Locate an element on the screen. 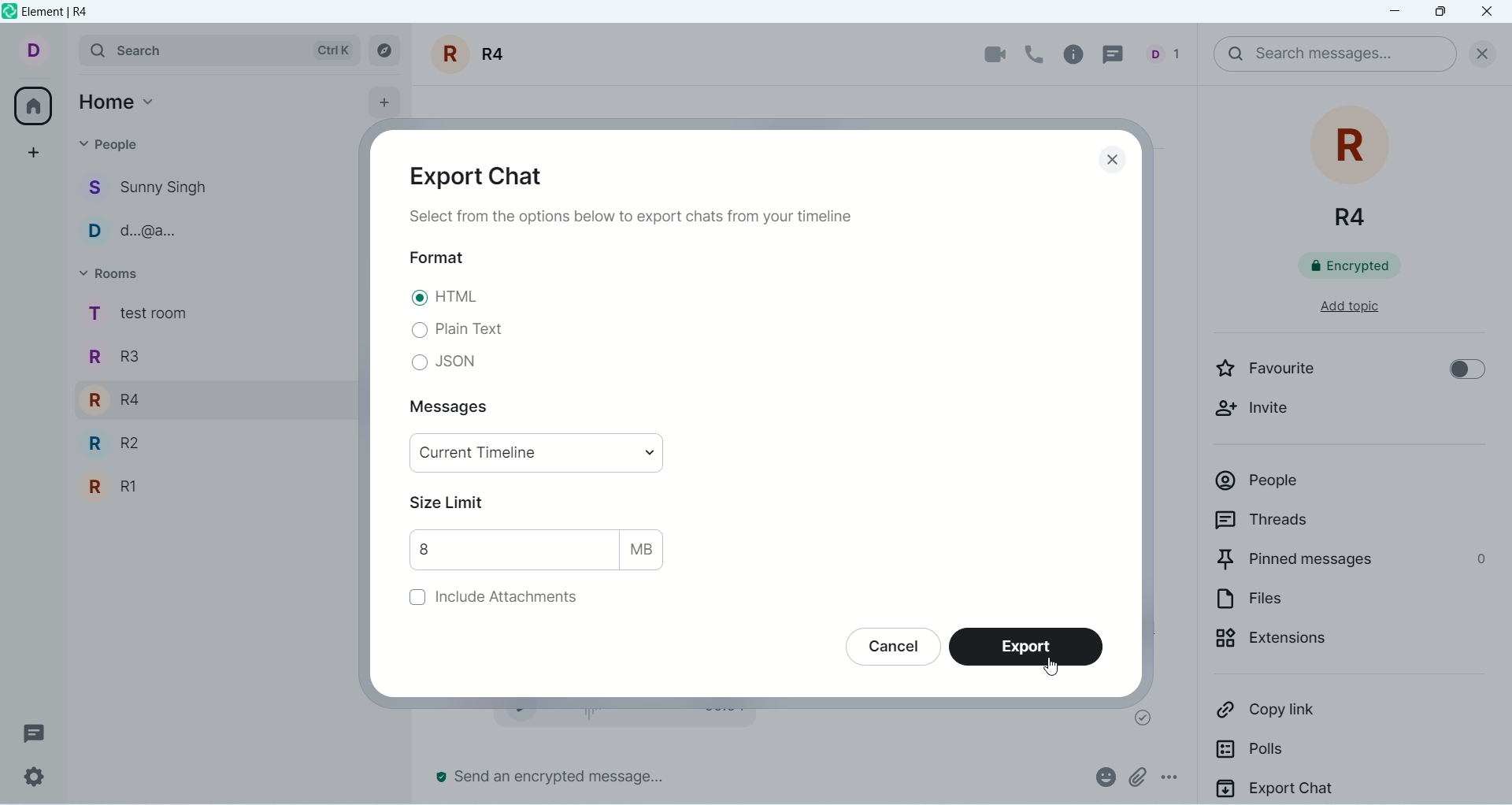 This screenshot has height=805, width=1512. explore rooms is located at coordinates (386, 50).